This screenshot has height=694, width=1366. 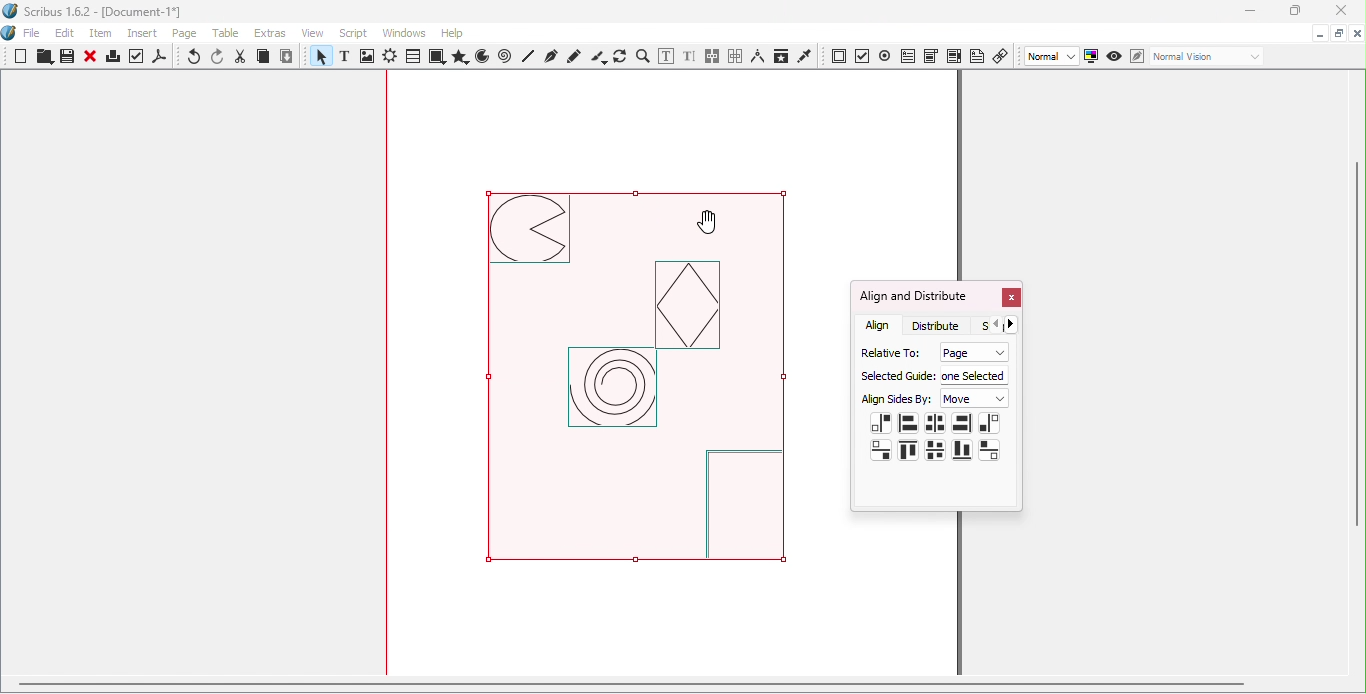 What do you see at coordinates (317, 32) in the screenshot?
I see `View` at bounding box center [317, 32].